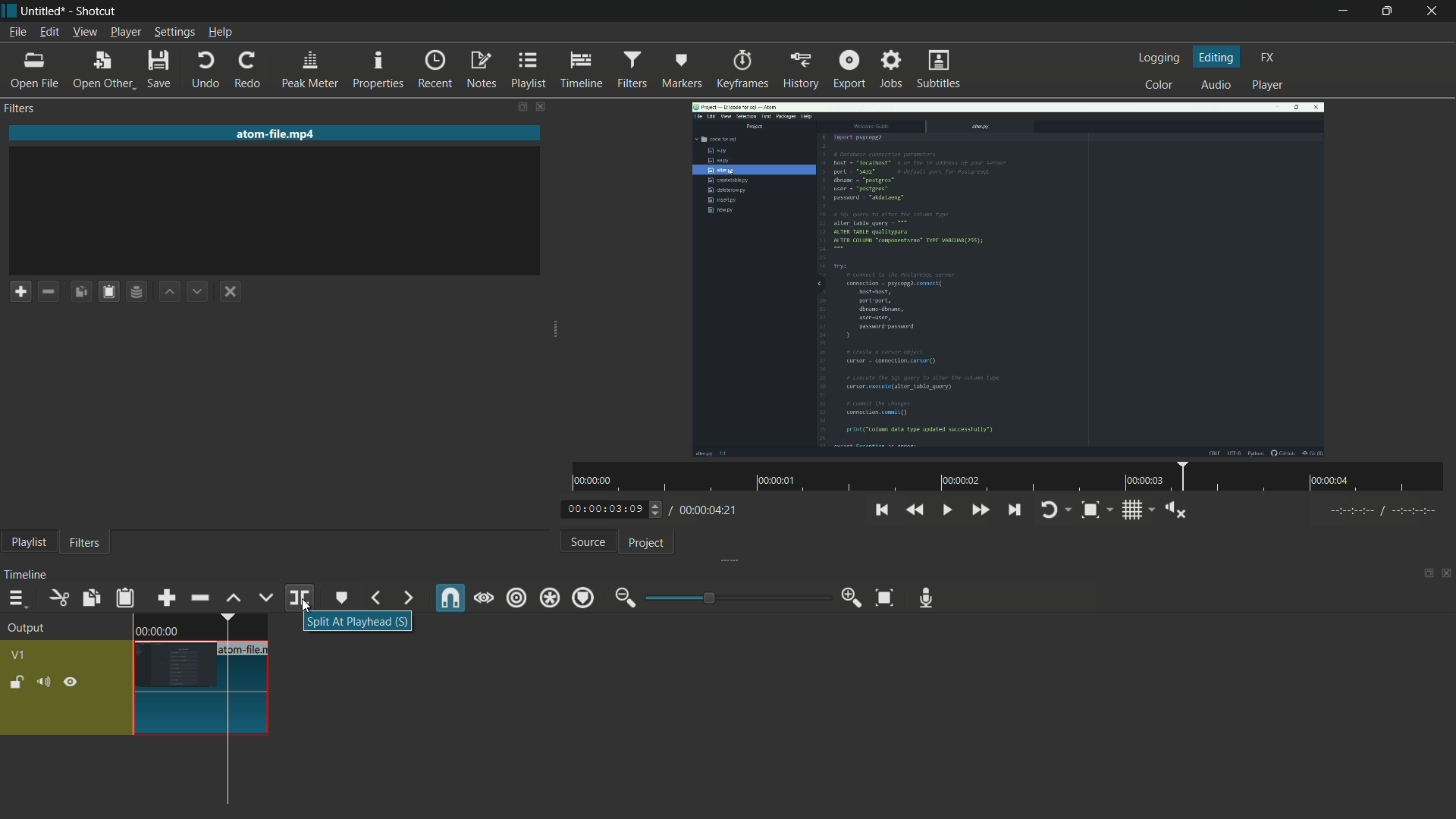 The image size is (1456, 819). I want to click on change layout, so click(1427, 573).